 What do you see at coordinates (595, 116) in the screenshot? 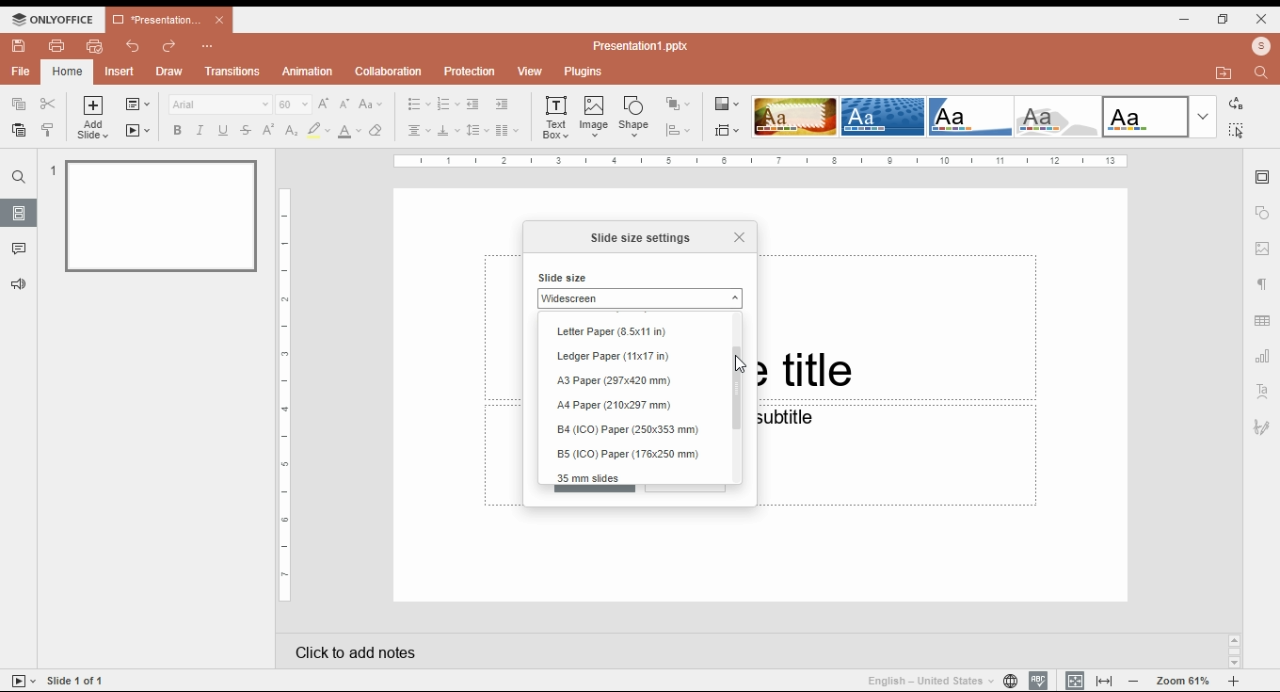
I see `insert image` at bounding box center [595, 116].